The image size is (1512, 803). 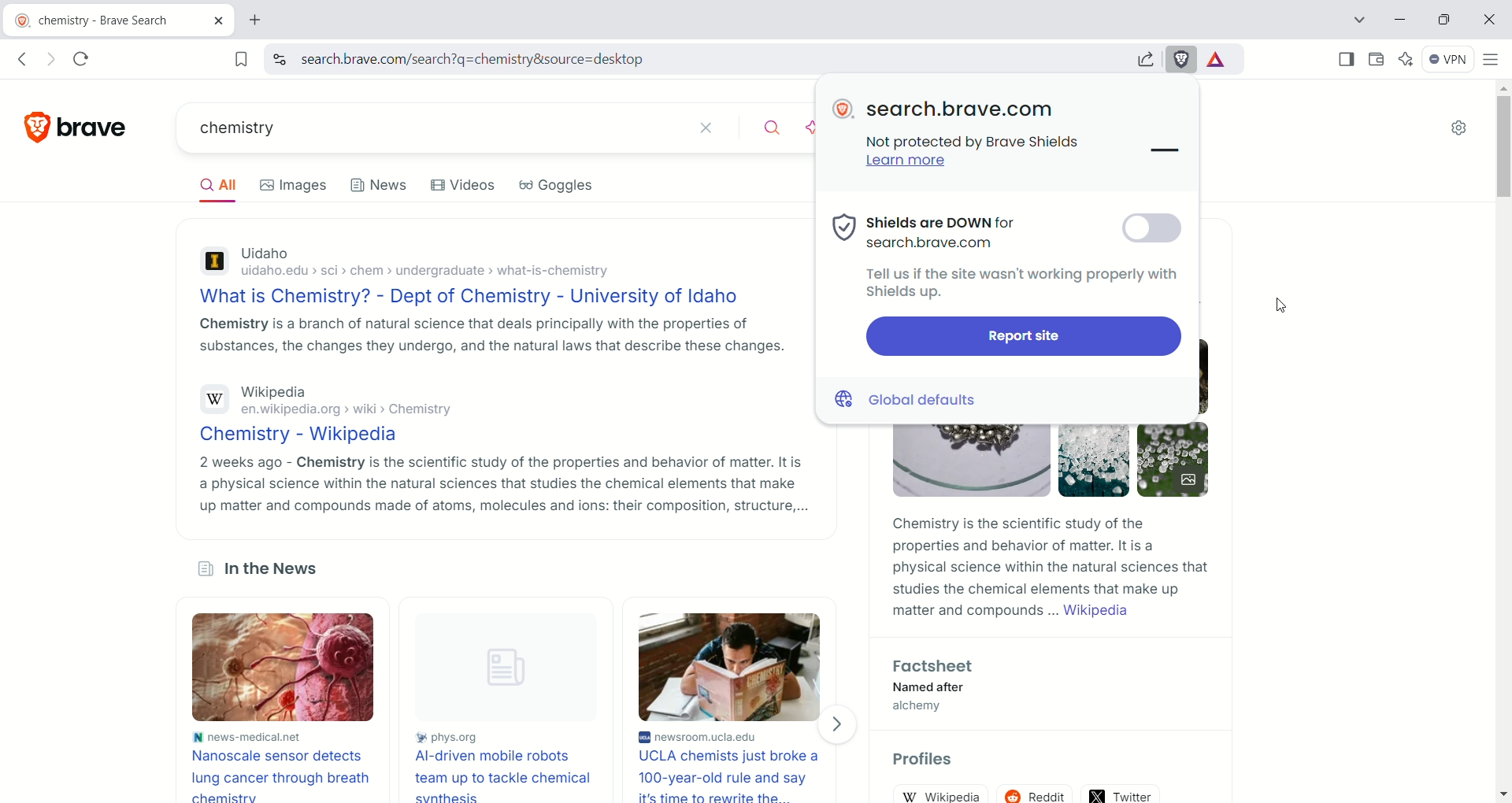 What do you see at coordinates (27, 58) in the screenshot?
I see `click to go back, hold to see history` at bounding box center [27, 58].